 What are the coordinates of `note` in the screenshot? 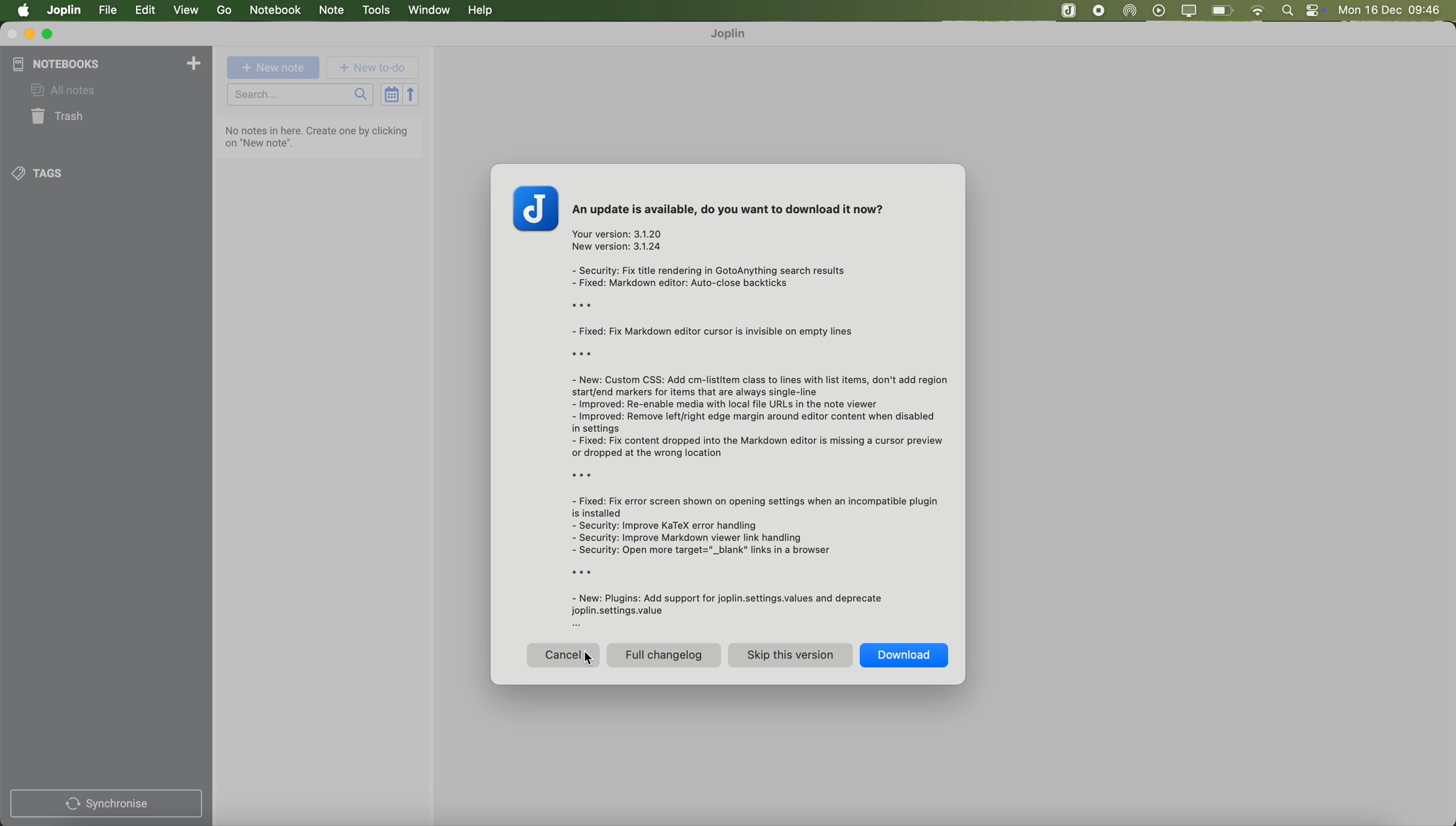 It's located at (333, 11).